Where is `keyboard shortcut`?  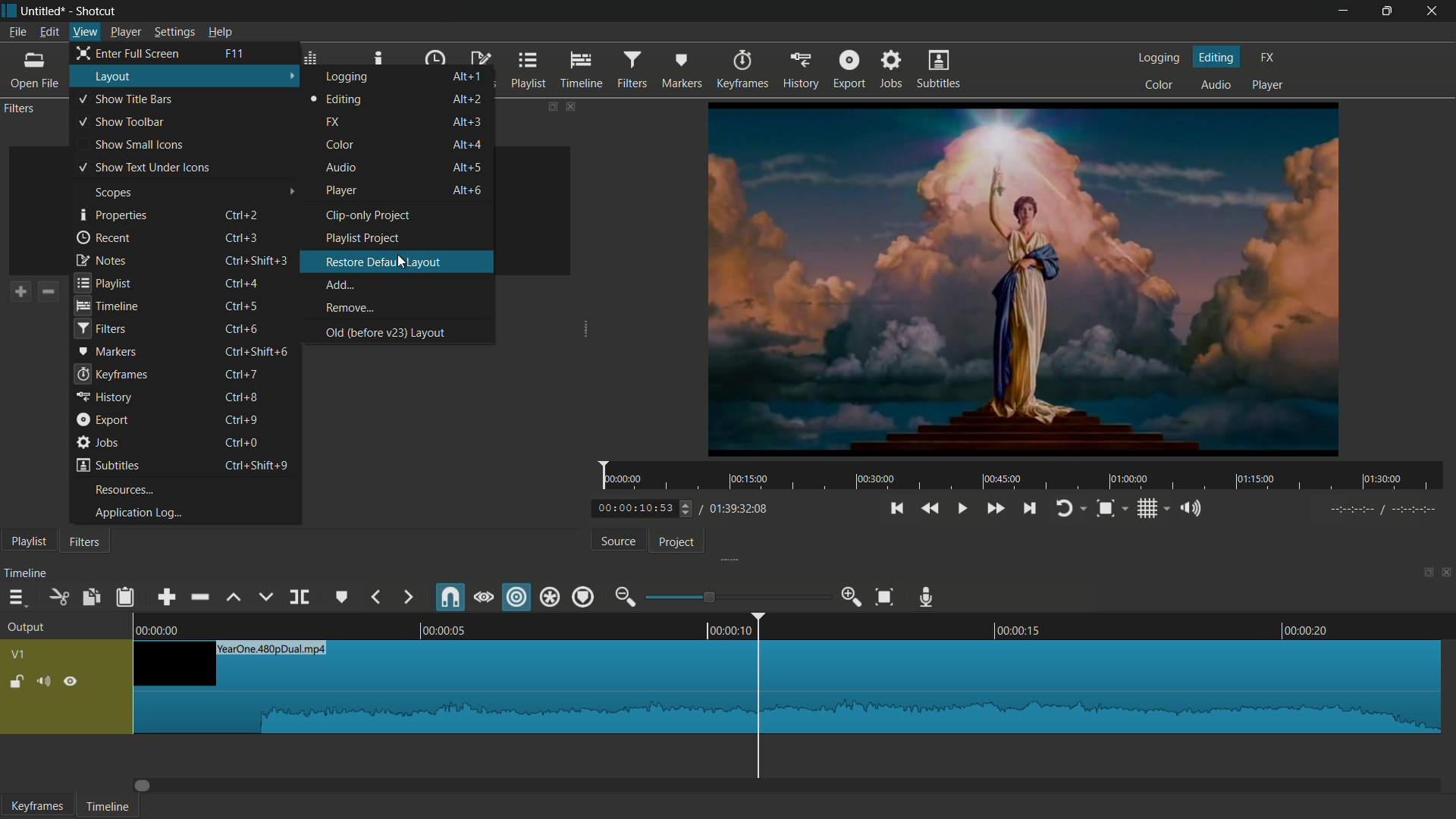
keyboard shortcut is located at coordinates (259, 259).